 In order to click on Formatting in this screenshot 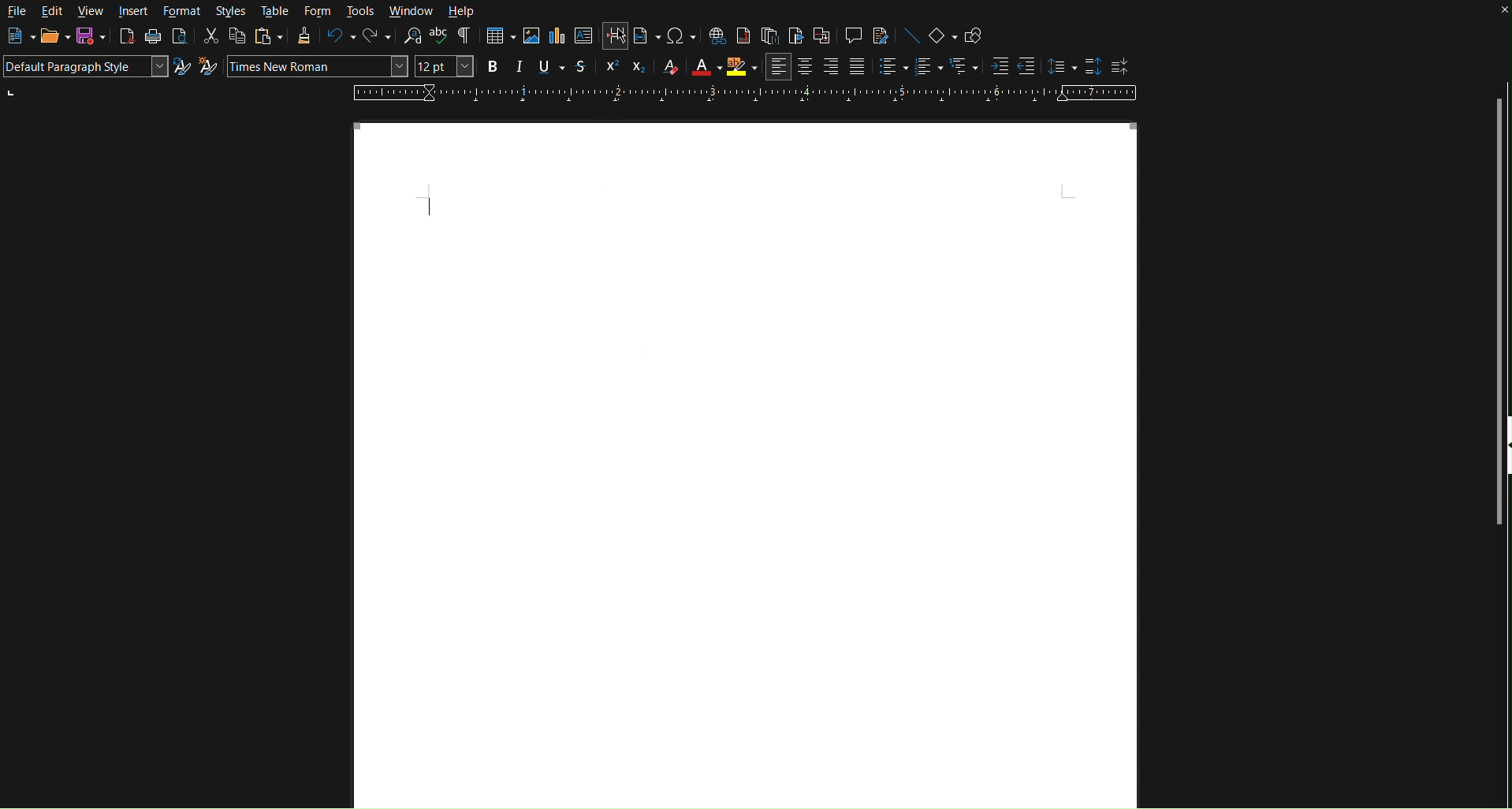, I will do `click(304, 37)`.